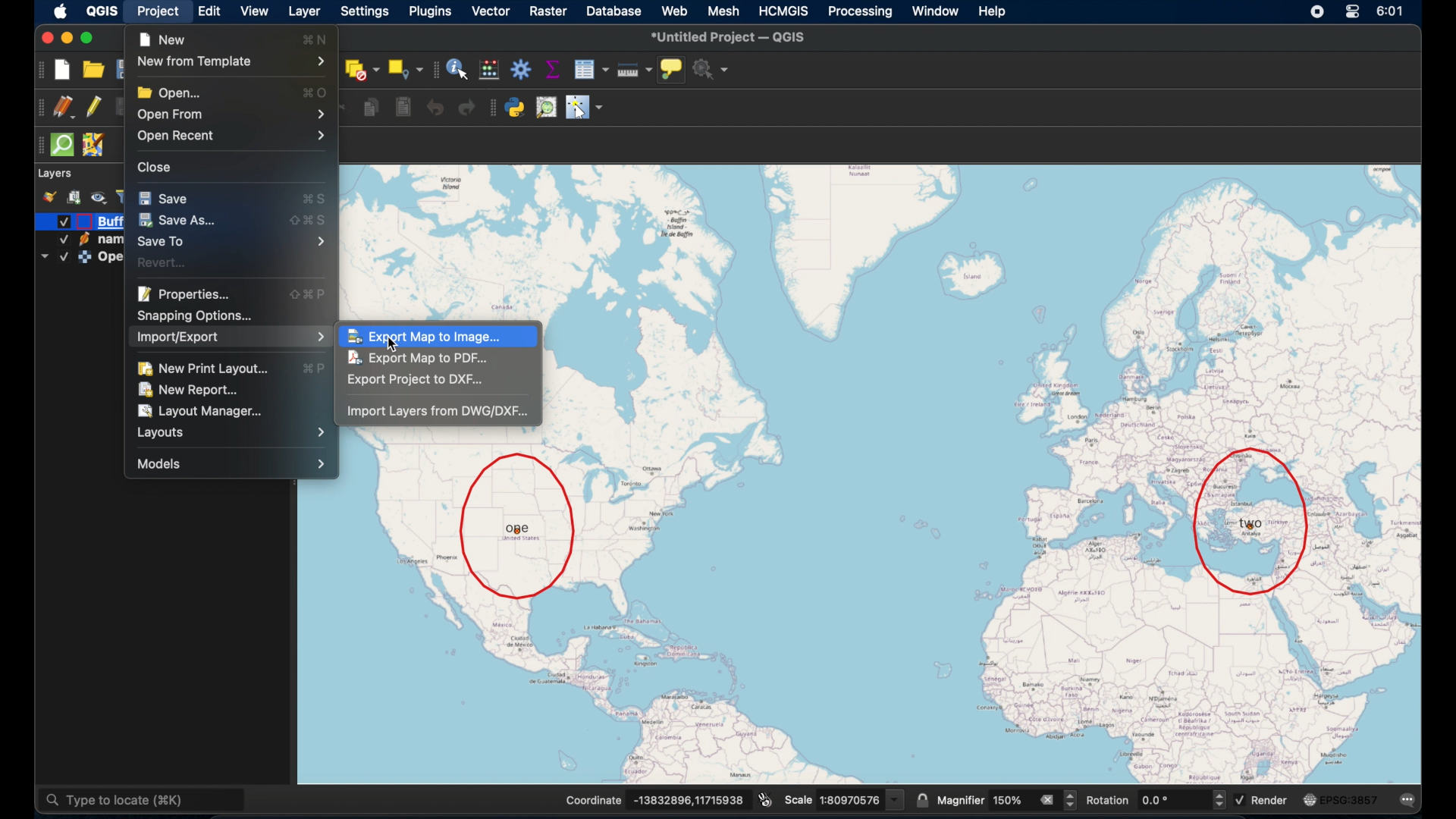 This screenshot has width=1456, height=819. What do you see at coordinates (231, 61) in the screenshot?
I see `new from template` at bounding box center [231, 61].